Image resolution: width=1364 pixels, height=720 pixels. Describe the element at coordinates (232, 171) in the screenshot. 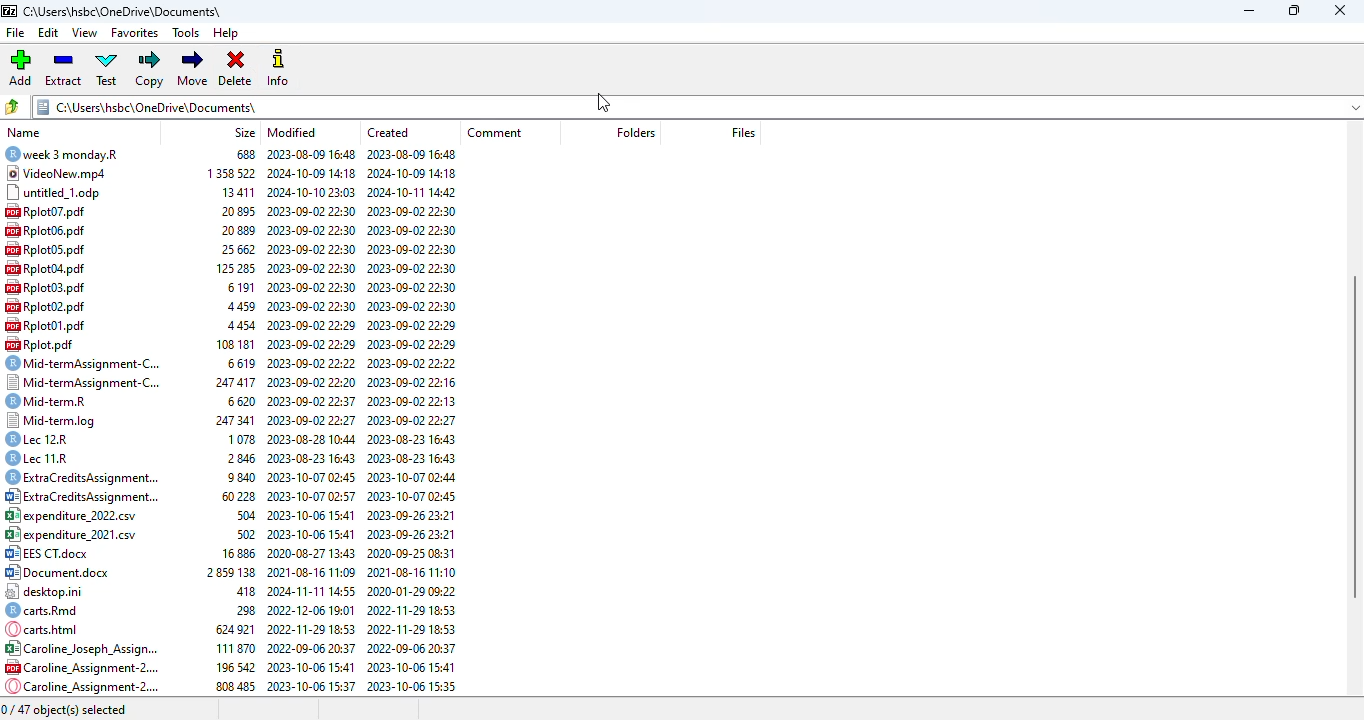

I see `1358522` at that location.